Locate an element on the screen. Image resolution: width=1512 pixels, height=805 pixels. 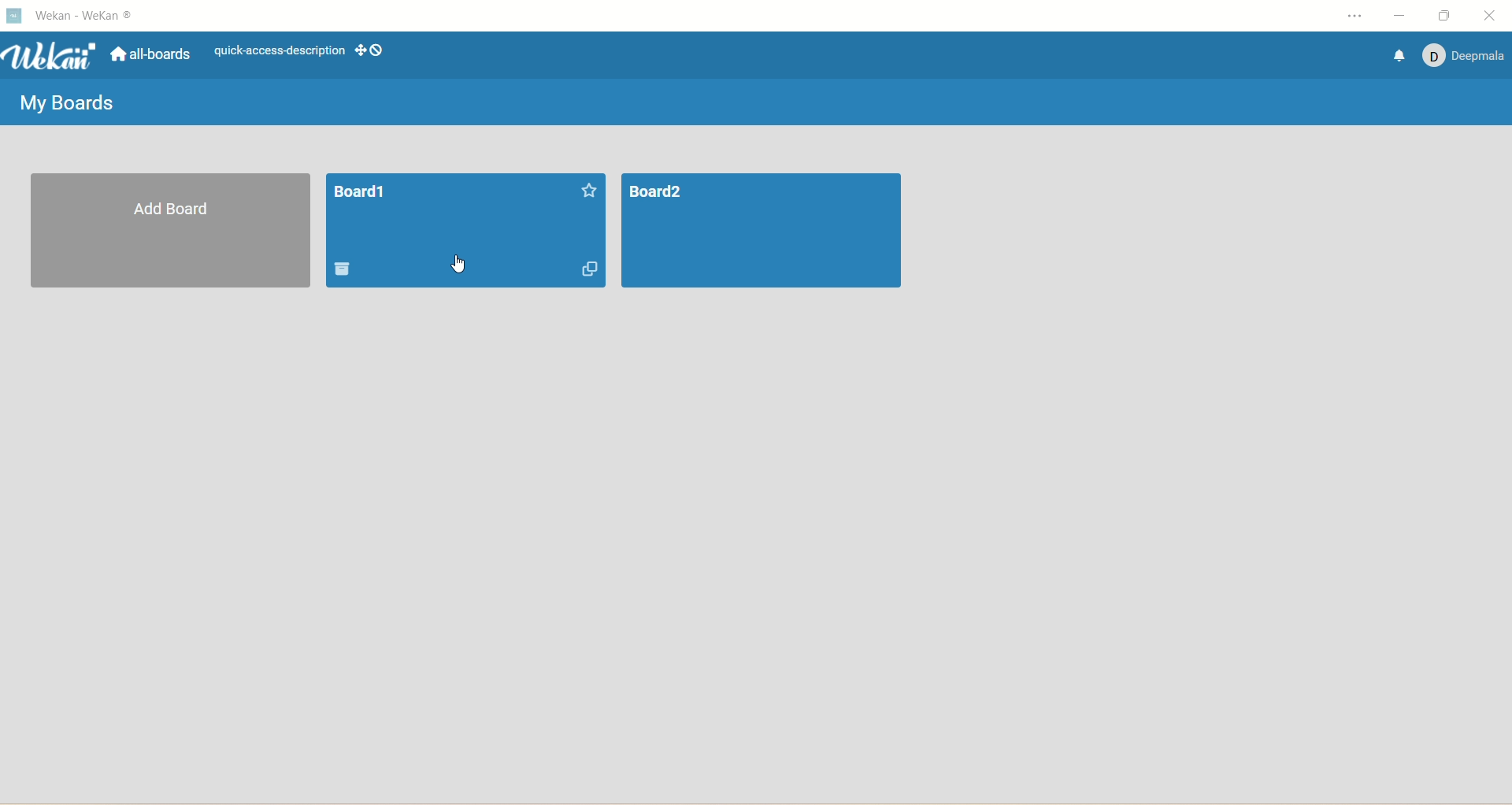
my boards is located at coordinates (72, 104).